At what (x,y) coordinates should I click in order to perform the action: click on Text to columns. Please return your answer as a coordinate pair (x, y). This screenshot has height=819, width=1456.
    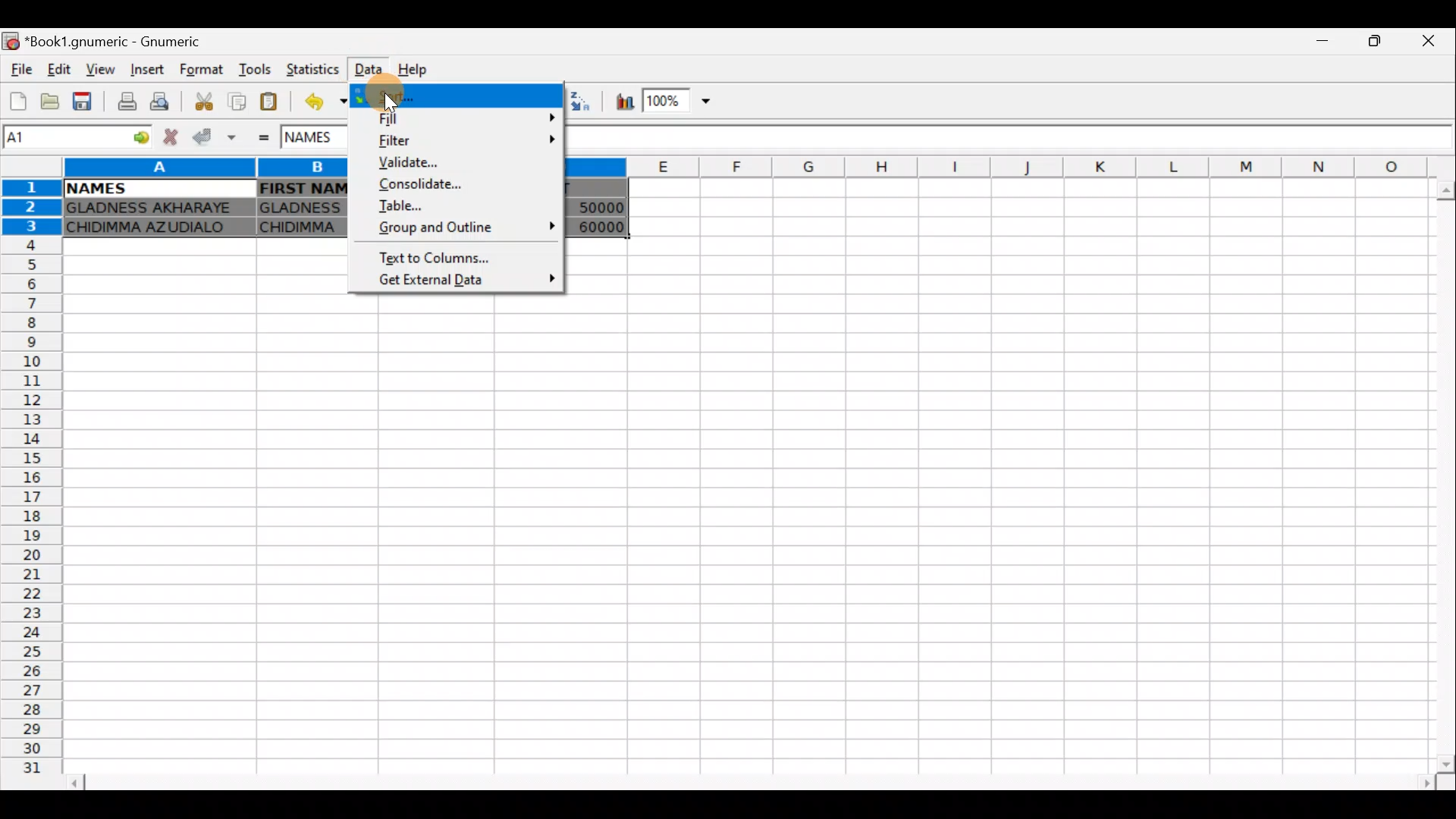
    Looking at the image, I should click on (445, 259).